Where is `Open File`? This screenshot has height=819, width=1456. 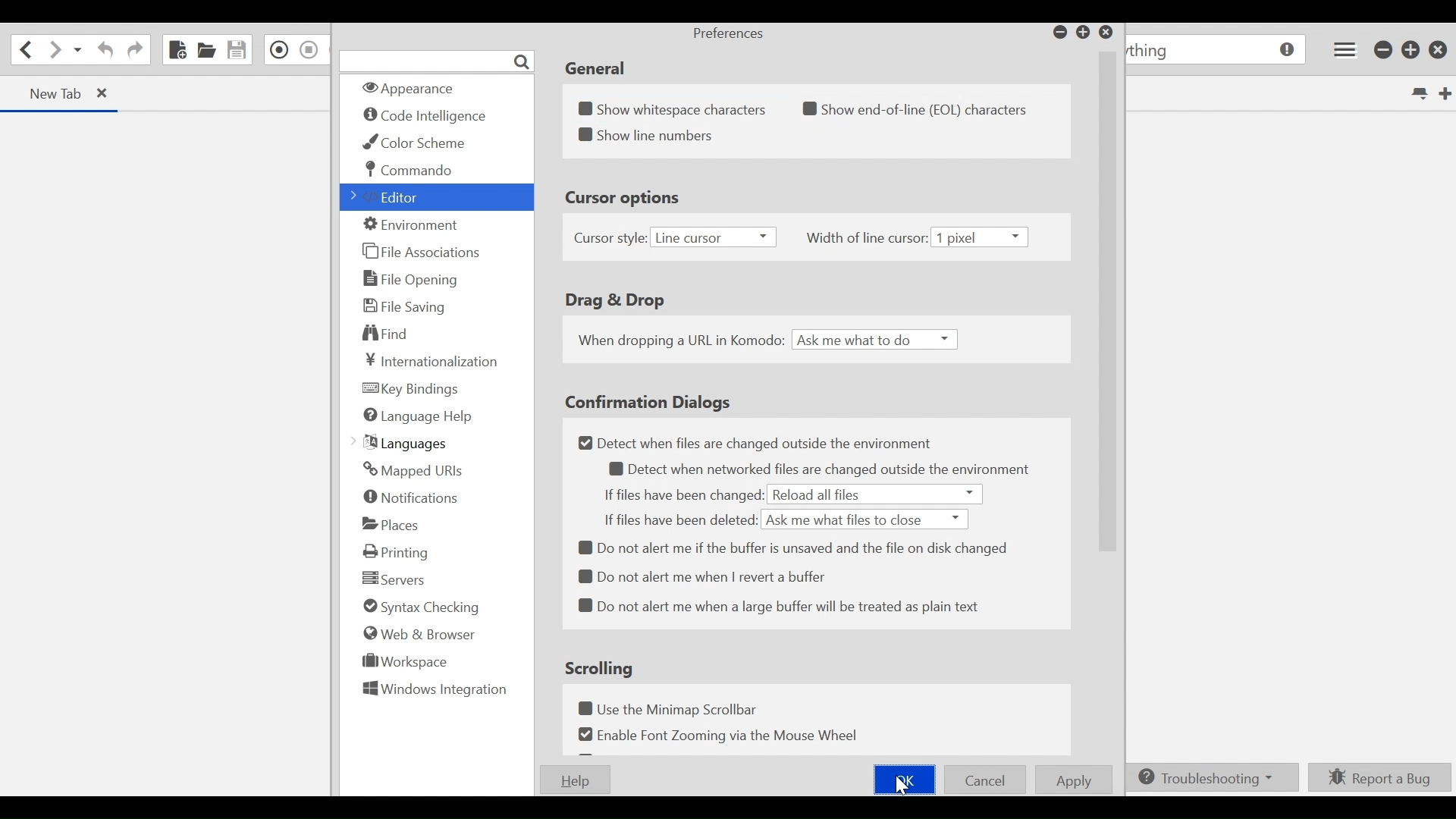 Open File is located at coordinates (206, 49).